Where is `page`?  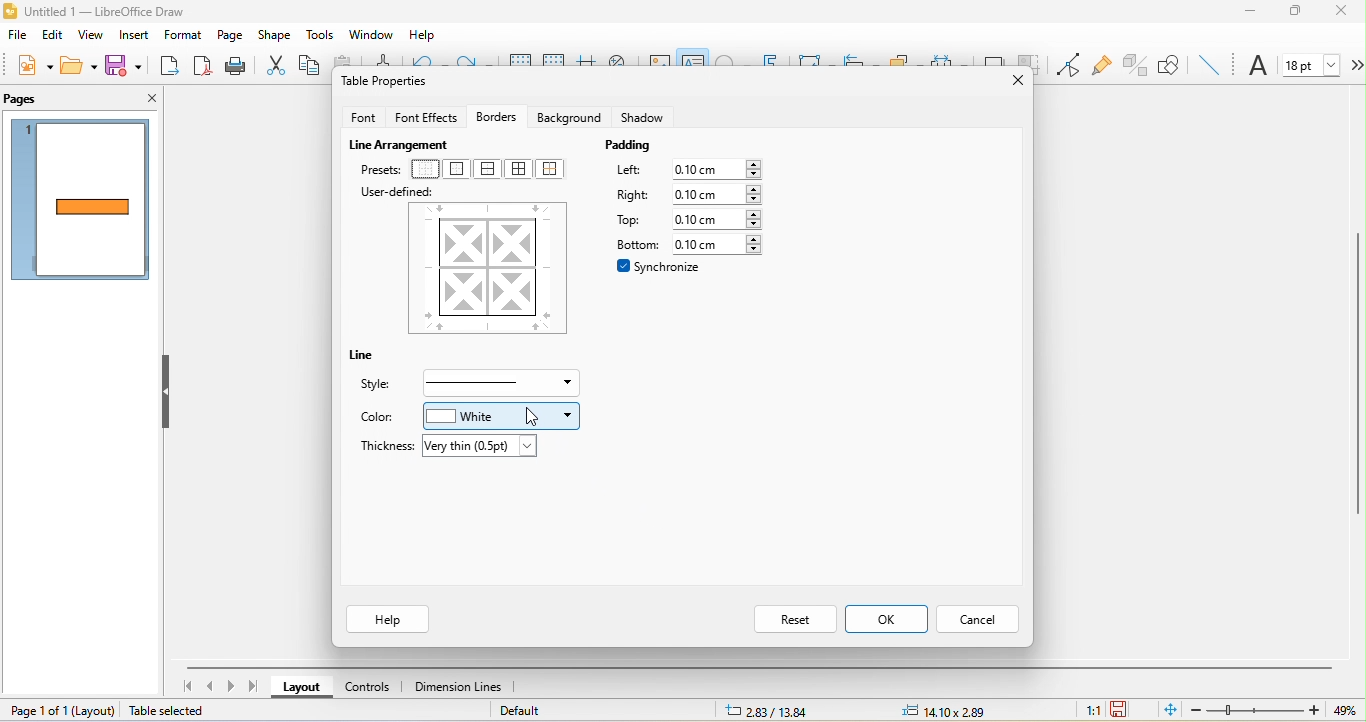 page is located at coordinates (231, 37).